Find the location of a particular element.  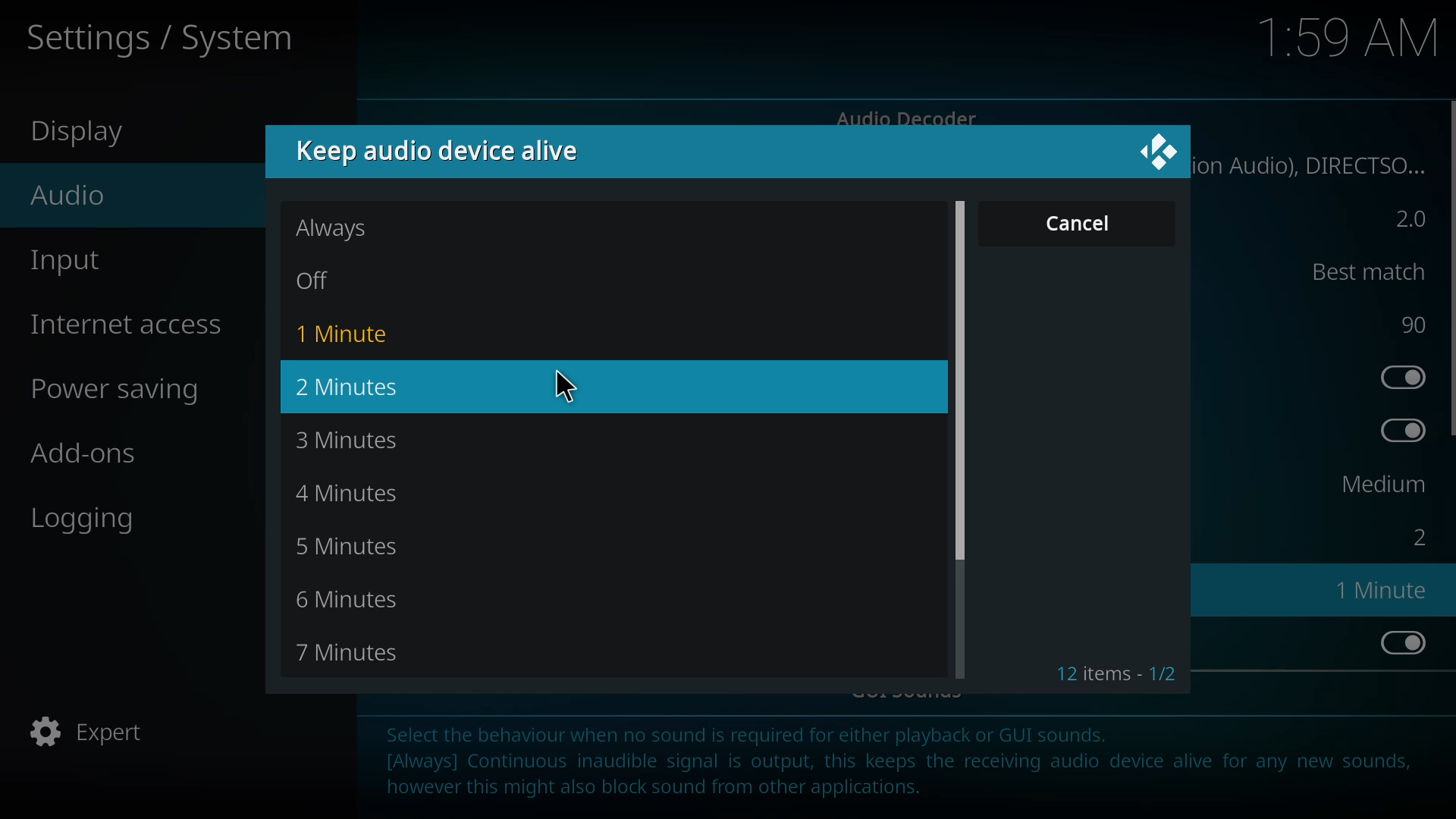

info is located at coordinates (904, 765).